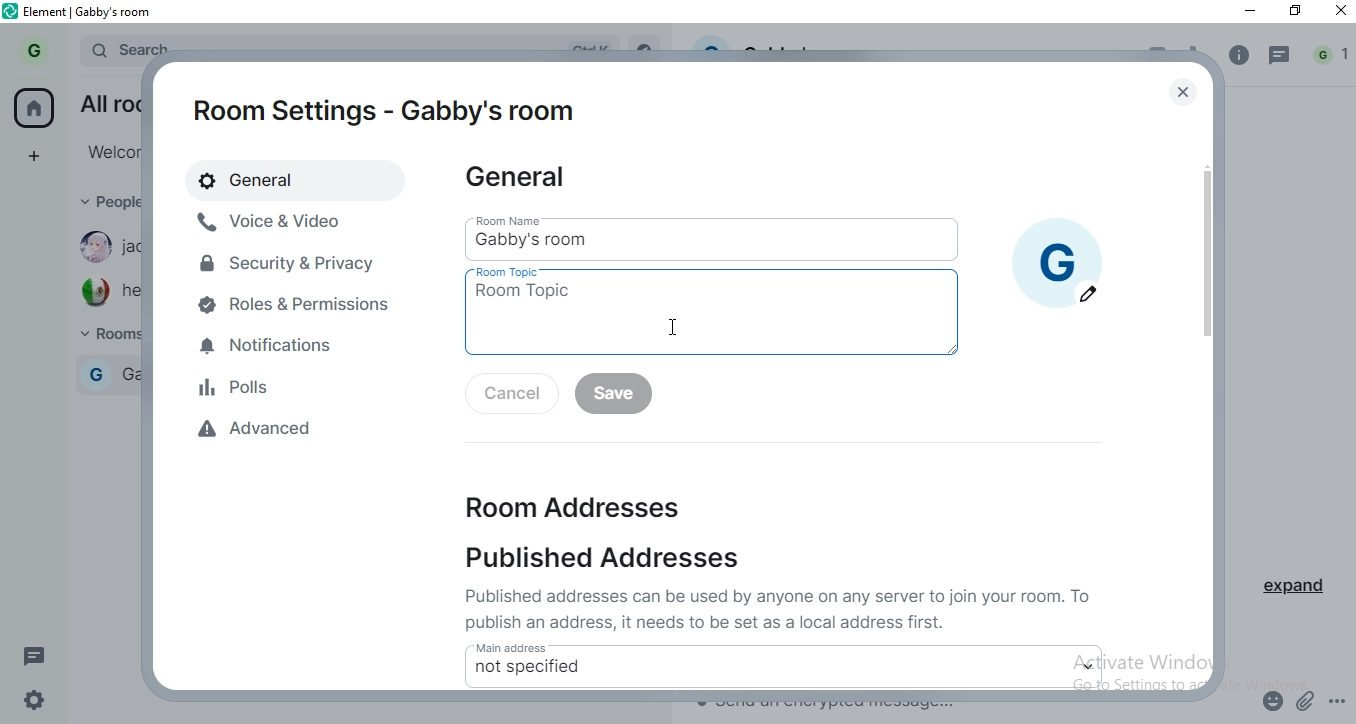  I want to click on text 1, so click(783, 608).